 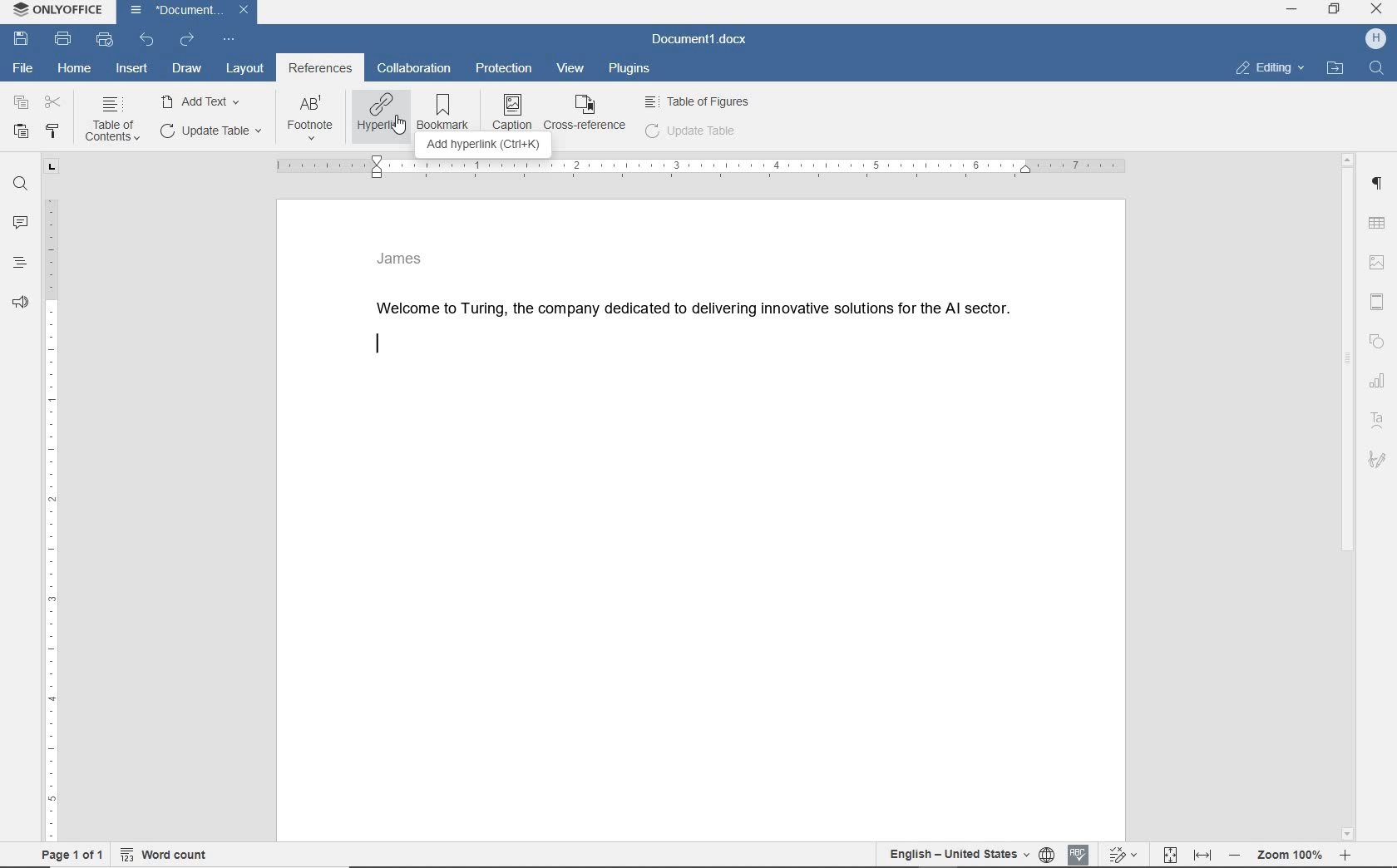 I want to click on image, so click(x=1380, y=259).